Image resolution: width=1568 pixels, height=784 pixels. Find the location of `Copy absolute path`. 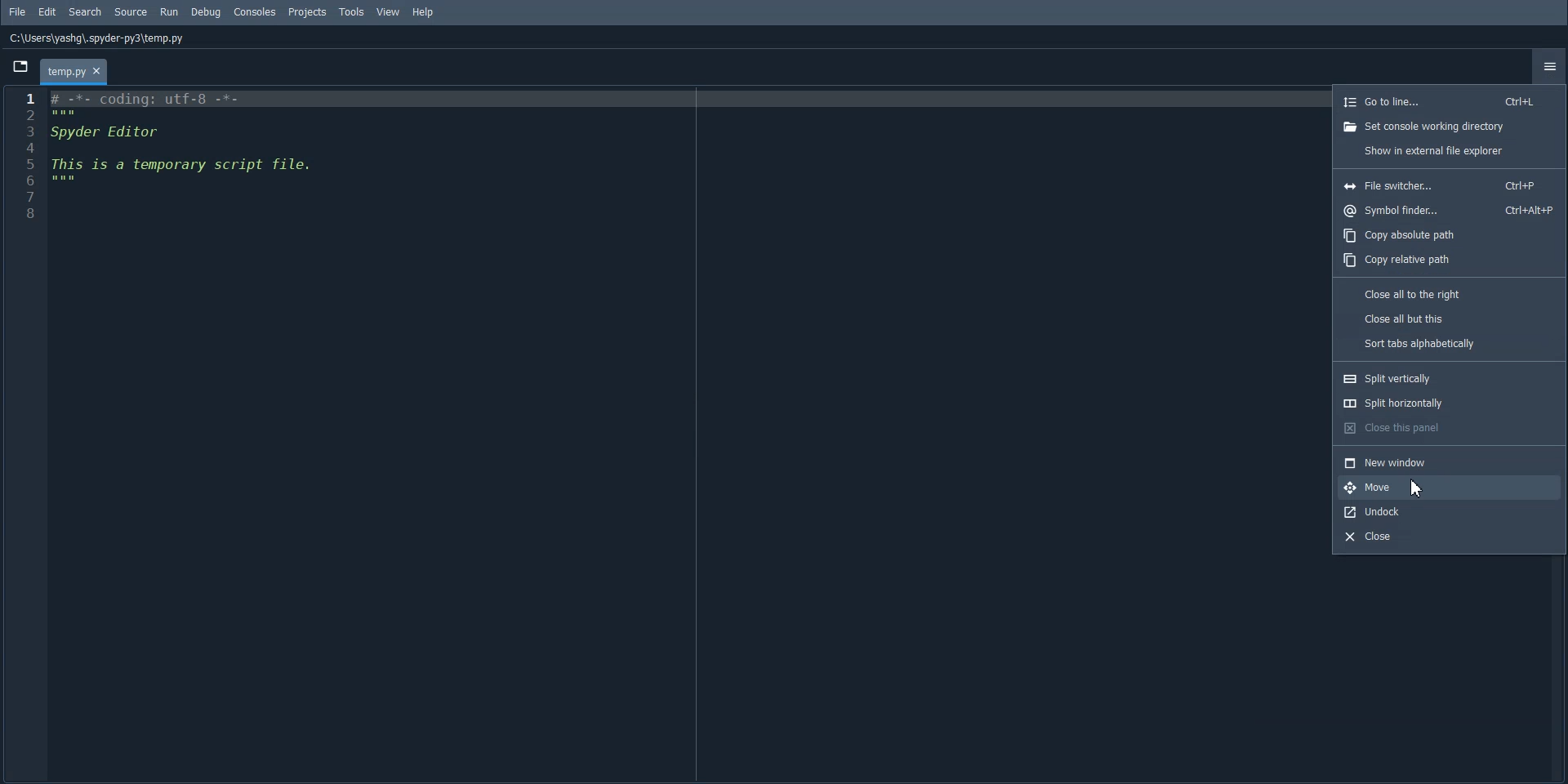

Copy absolute path is located at coordinates (1449, 236).